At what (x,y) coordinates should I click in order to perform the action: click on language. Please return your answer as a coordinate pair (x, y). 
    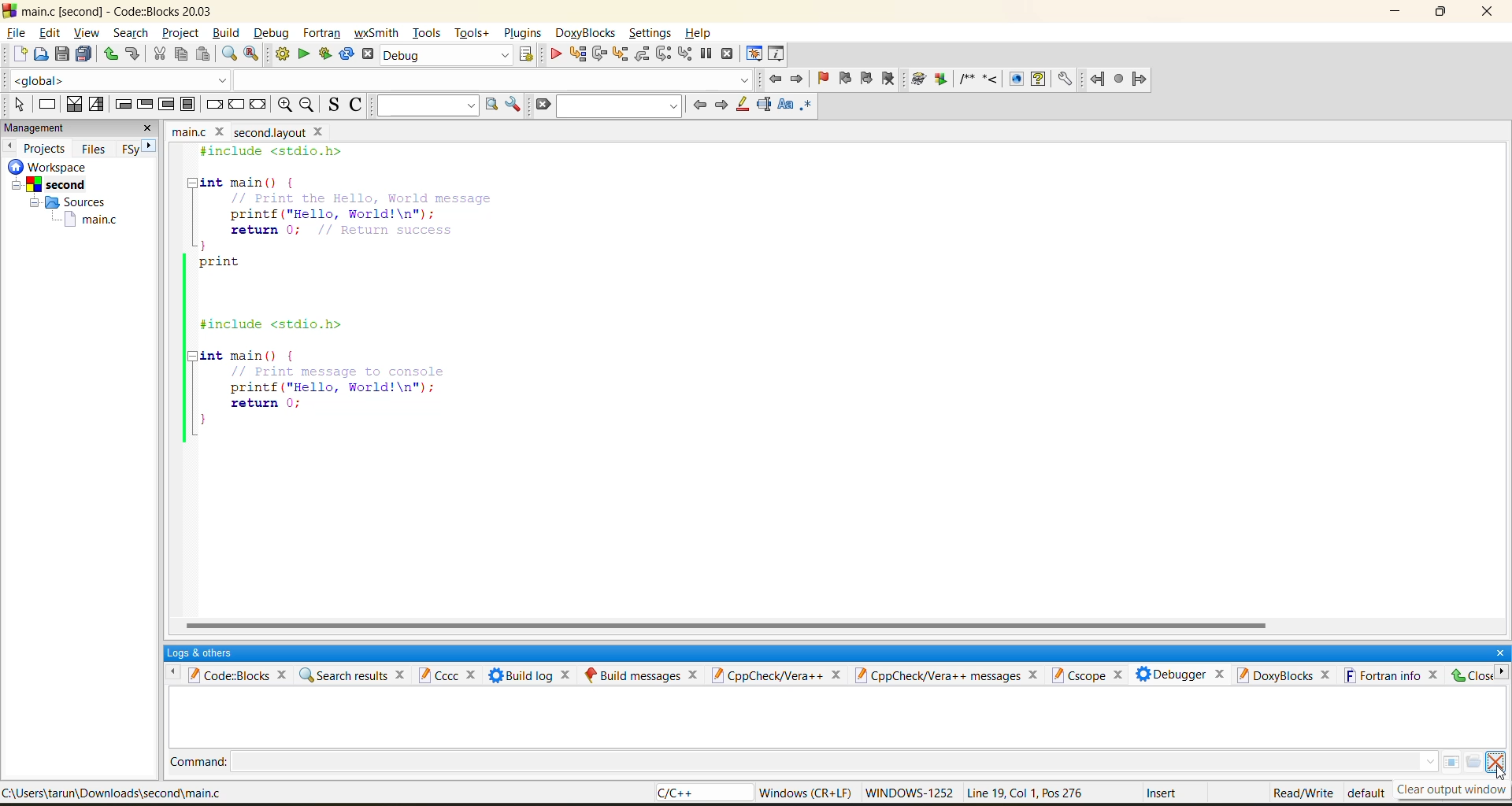
    Looking at the image, I should click on (697, 794).